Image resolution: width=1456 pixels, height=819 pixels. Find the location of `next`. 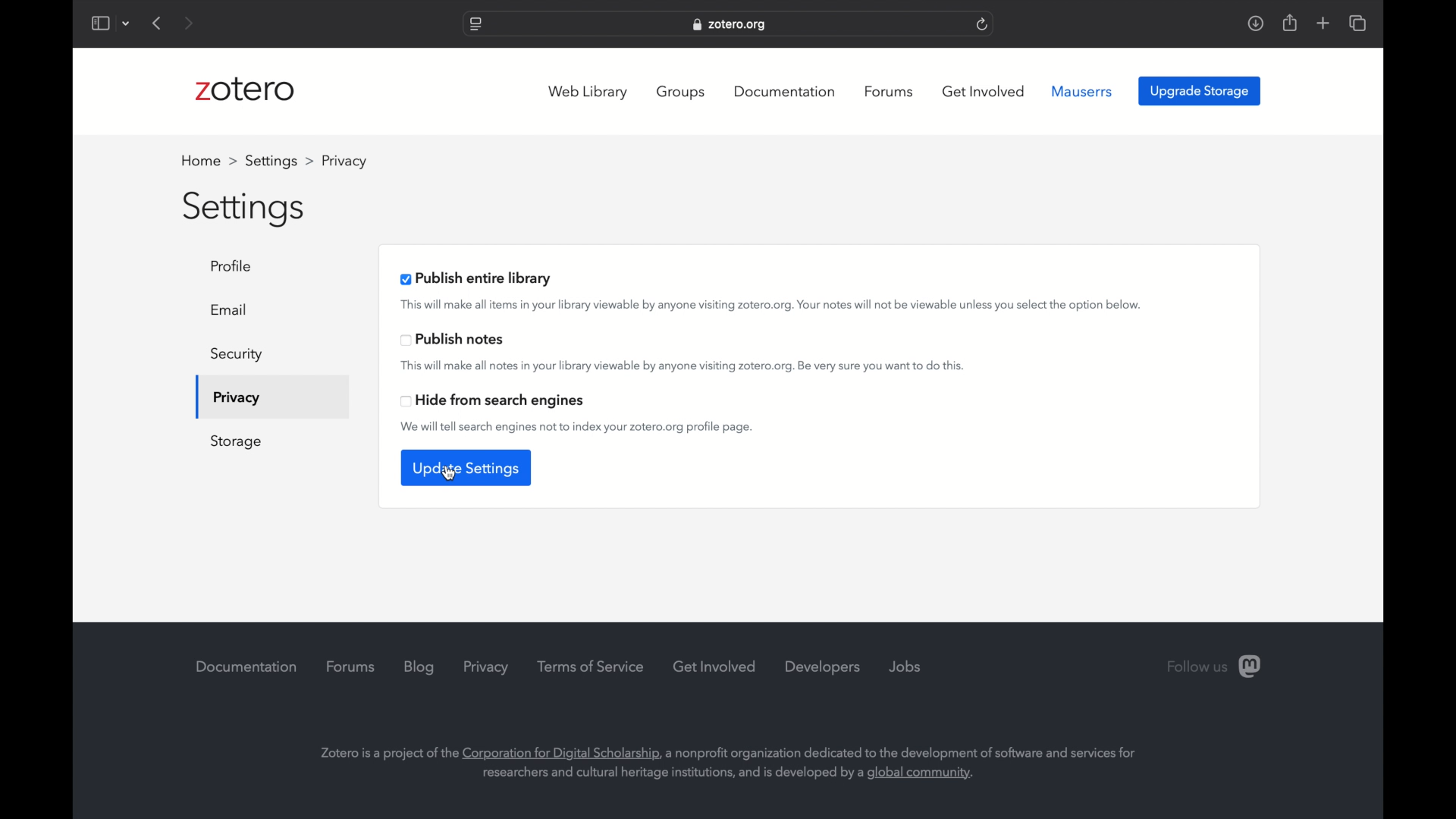

next is located at coordinates (190, 23).